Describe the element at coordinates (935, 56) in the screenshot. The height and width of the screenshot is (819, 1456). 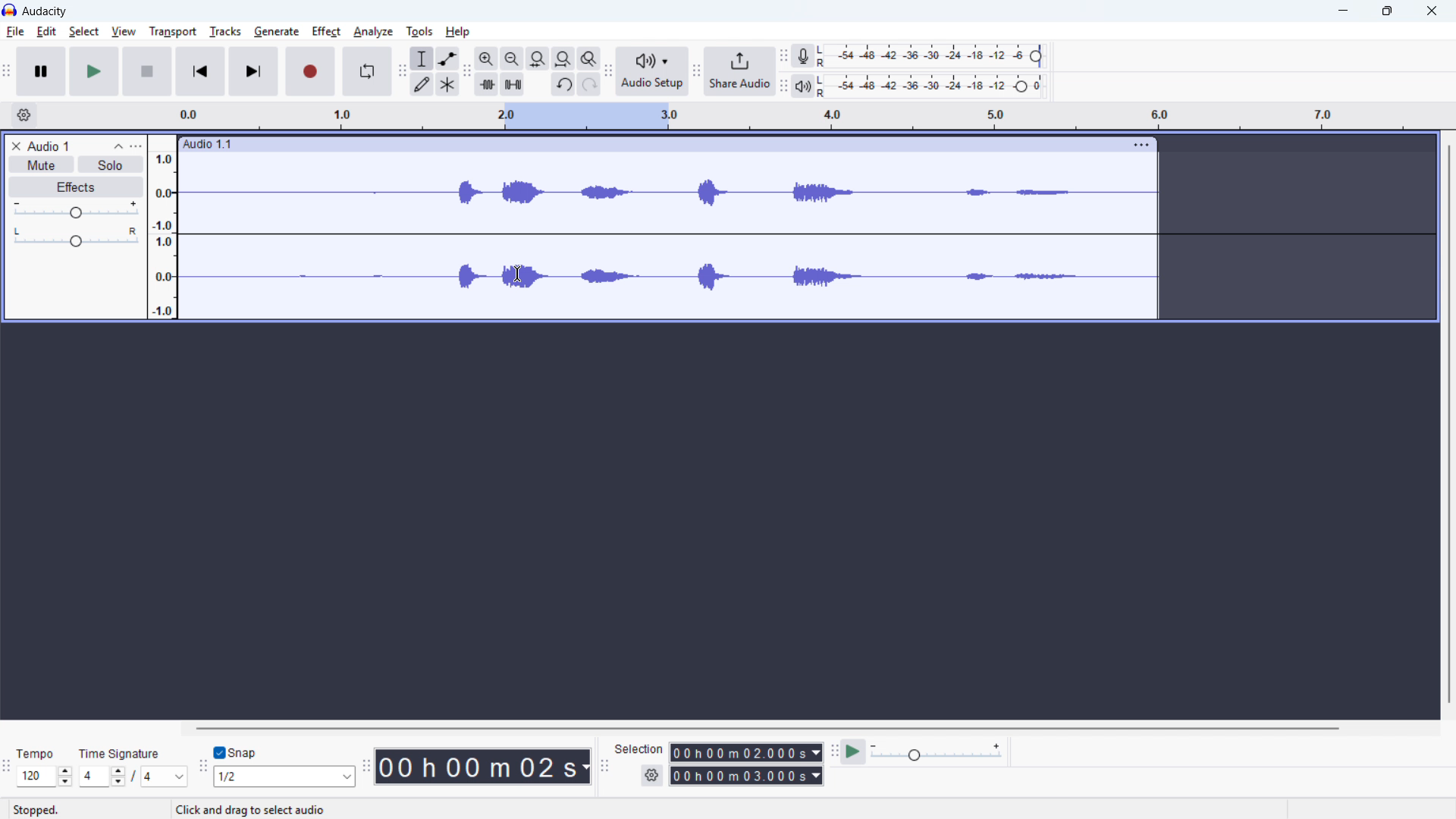
I see `Recording level` at that location.